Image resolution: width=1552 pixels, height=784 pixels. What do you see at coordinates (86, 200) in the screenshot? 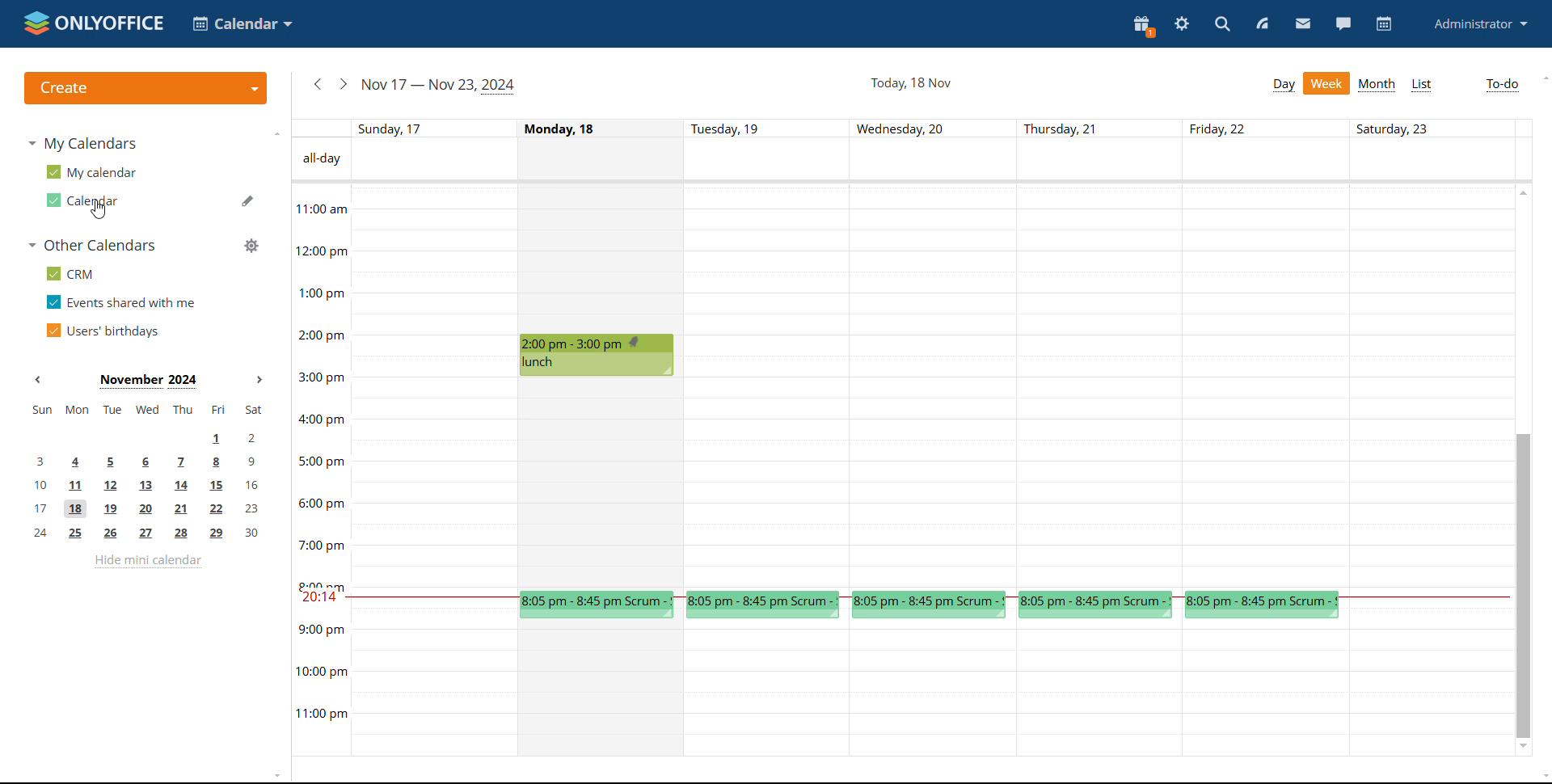
I see `second calendar` at bounding box center [86, 200].